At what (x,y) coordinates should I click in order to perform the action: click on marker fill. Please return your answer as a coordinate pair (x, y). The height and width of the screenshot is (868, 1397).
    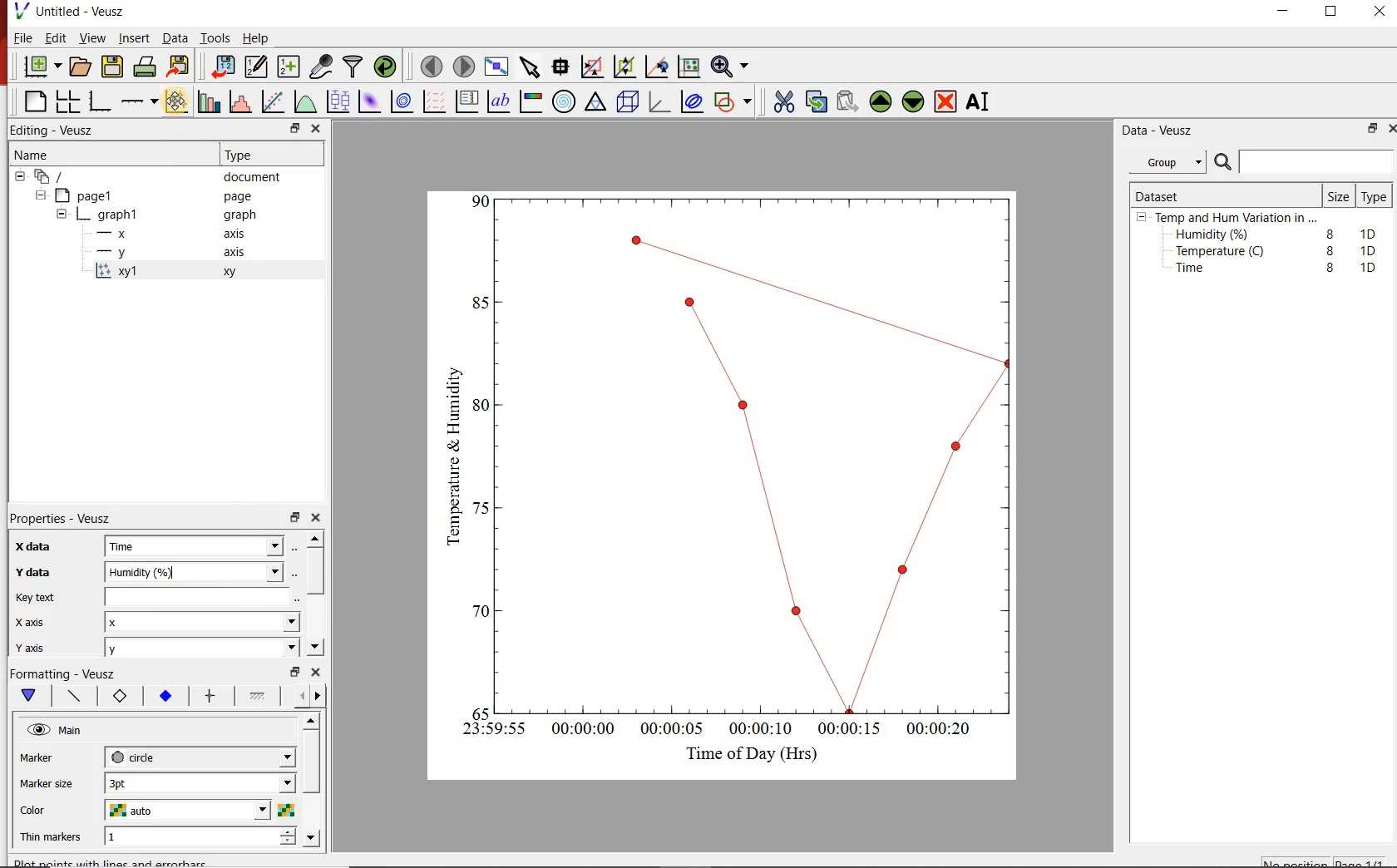
    Looking at the image, I should click on (165, 696).